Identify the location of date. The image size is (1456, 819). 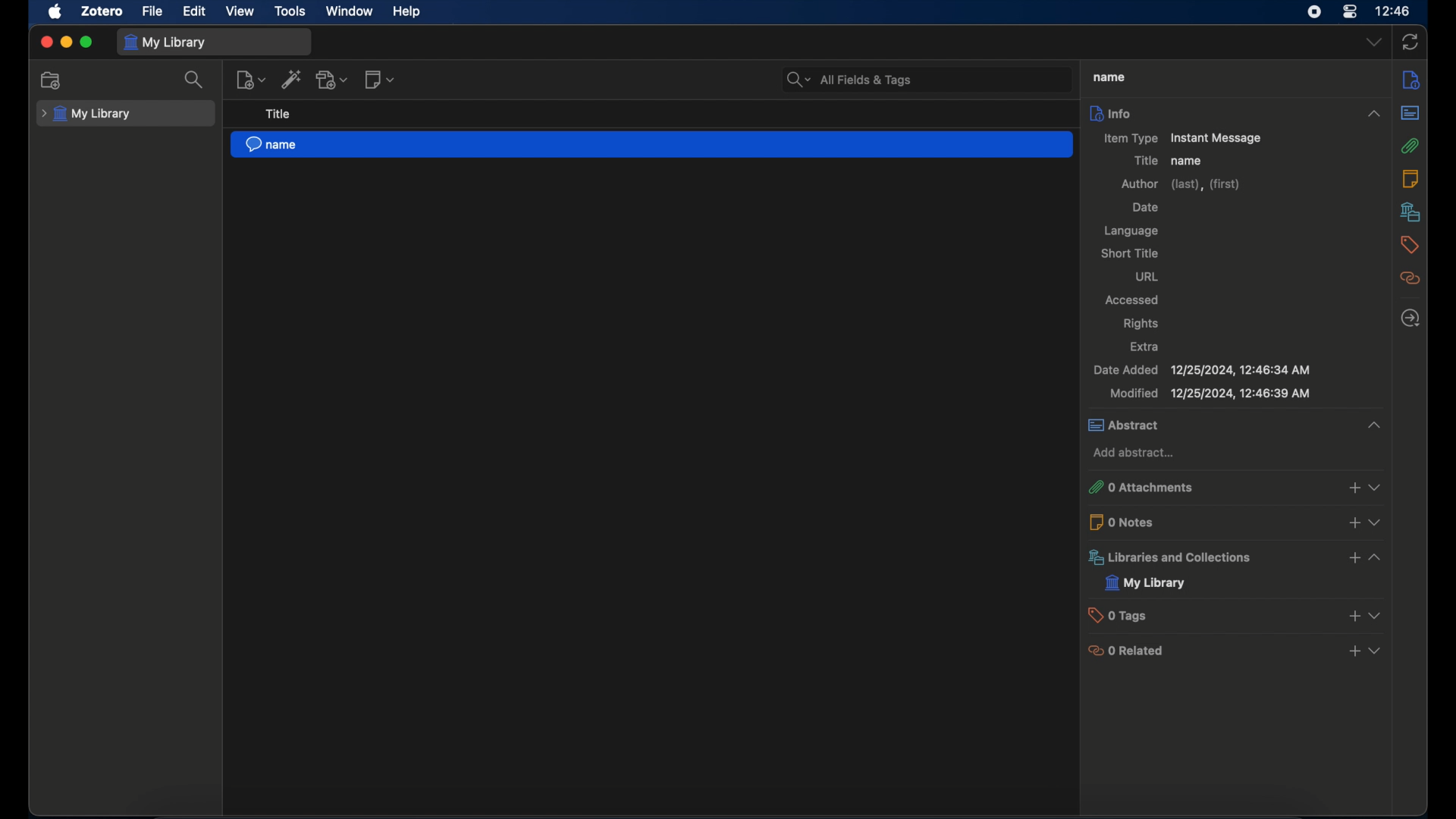
(1145, 207).